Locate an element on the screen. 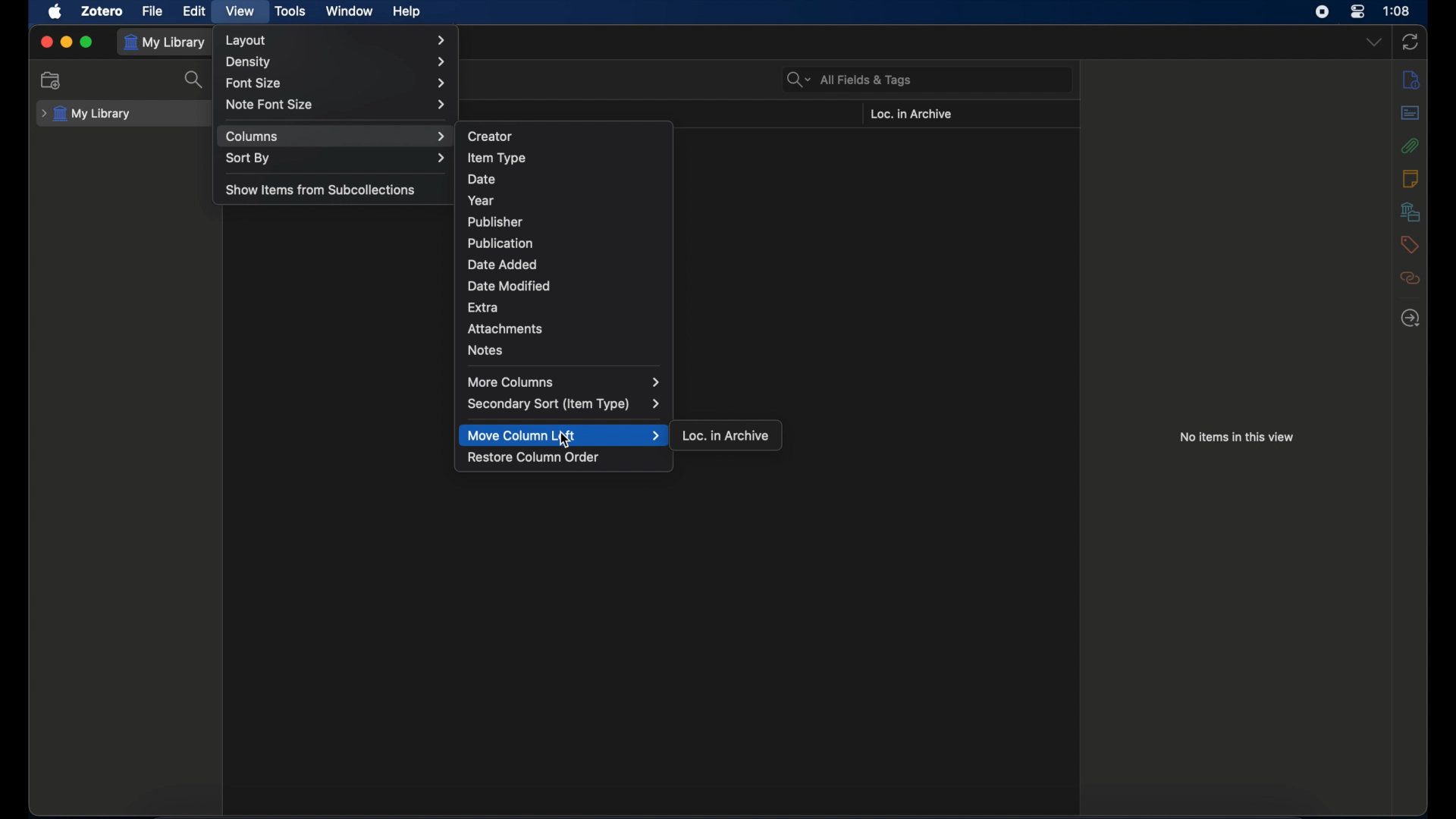 This screenshot has width=1456, height=819. creator is located at coordinates (491, 135).